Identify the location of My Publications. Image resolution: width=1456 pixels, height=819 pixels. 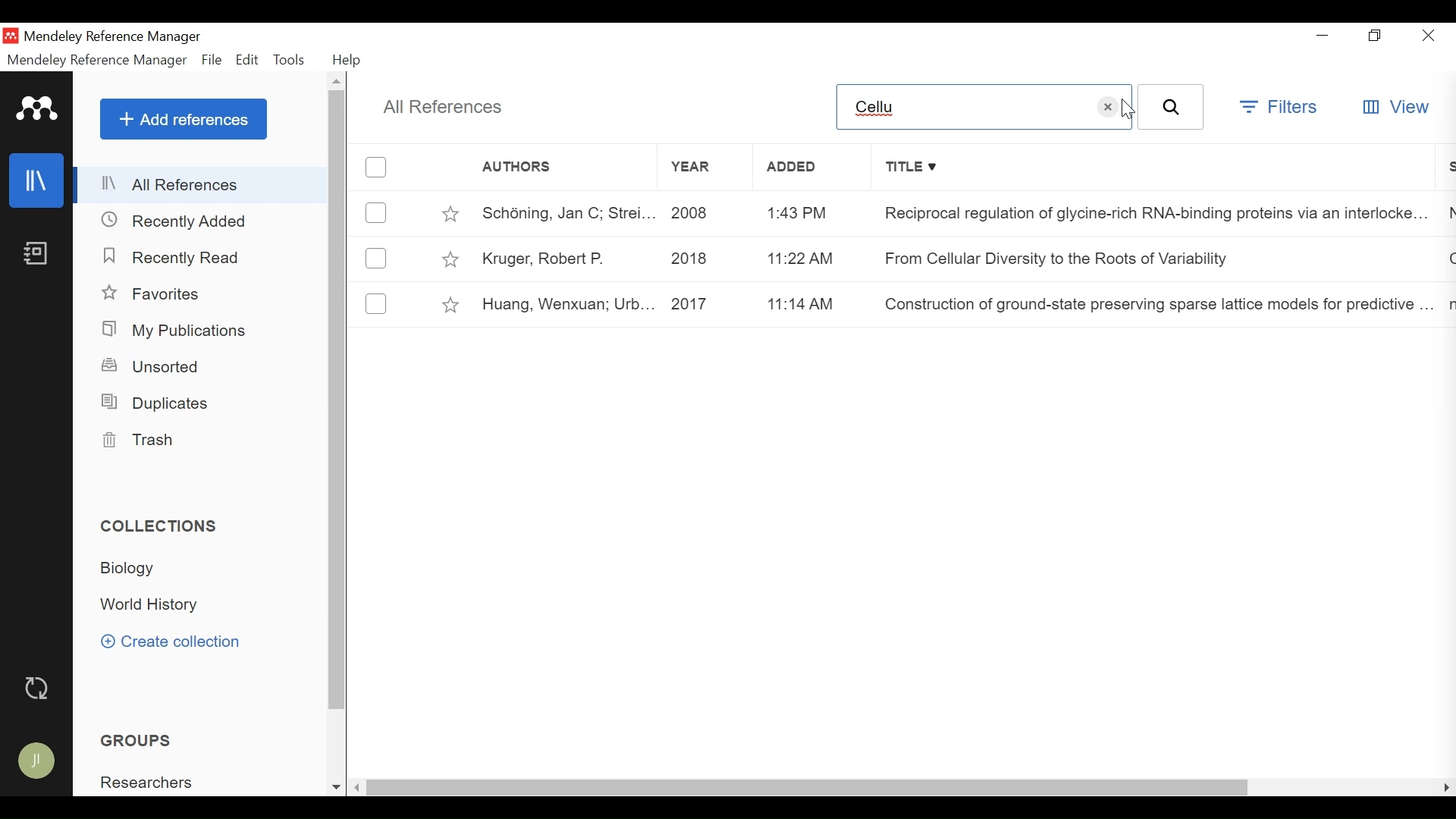
(177, 331).